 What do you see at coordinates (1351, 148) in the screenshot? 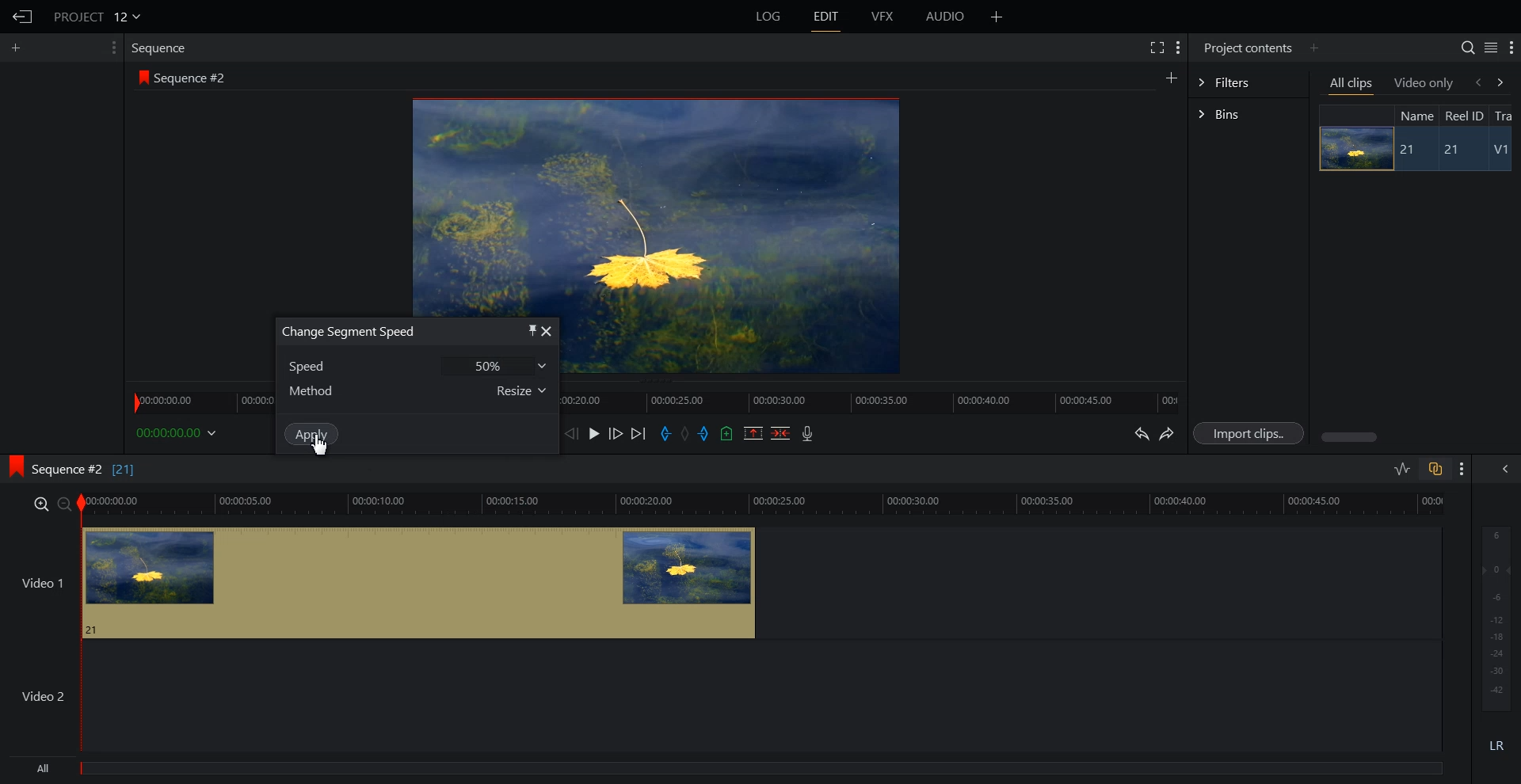
I see `Image` at bounding box center [1351, 148].